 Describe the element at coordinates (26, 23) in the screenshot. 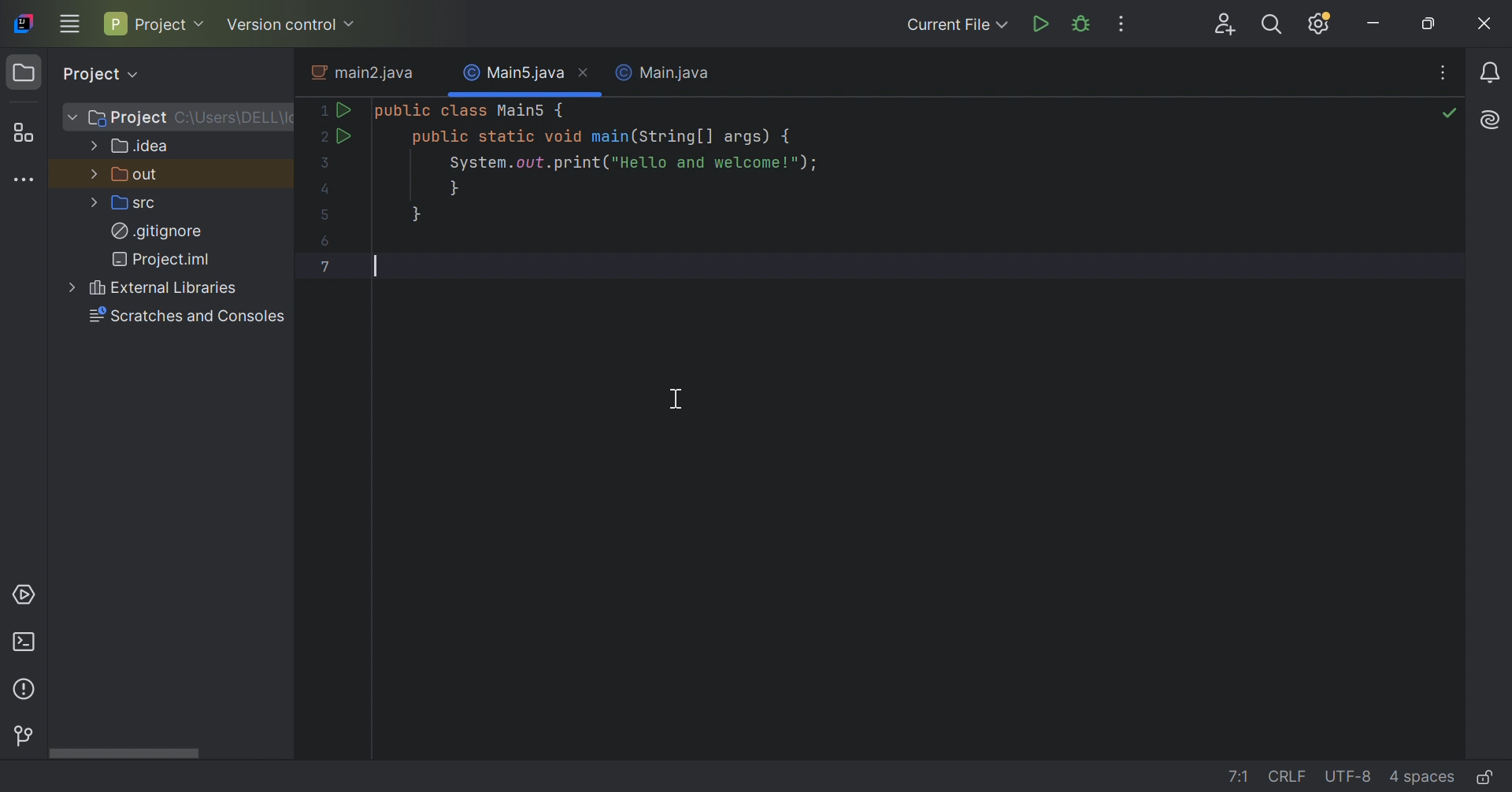

I see `IntelliJ IDEA icon` at that location.